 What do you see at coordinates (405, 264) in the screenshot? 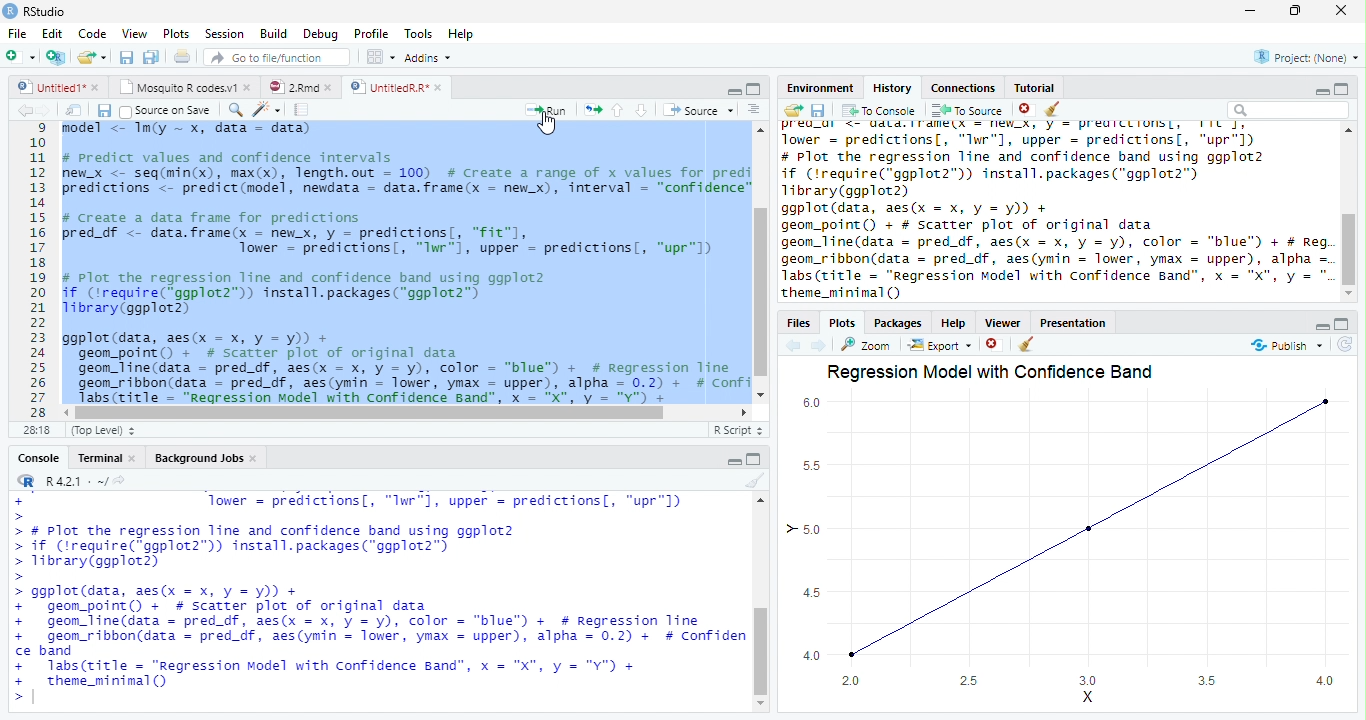
I see `#predict values and confidence intervalsew_x <- seq(min(x), max(x), length.out = 100) # Create a range of x values for prediredictions <- predict(model, newdata = data.frame(x = new_x), interval = “confidence”/ Create a data frame for predictionsred_df <- data.frame(x - newx, y = predictions[, "fit"],Tower = predictions, “Iwr"1, upper = predictions, “upr"l)Plot the regression line and confidence band using ggplot2f (irequire(*ggplot2”)) install.packages(“ggplot2”)ibrary(ggplot2)gplot (data, aes(x = x, y = y)) +geom_point() + # scatter plot of original datageon_line(data = pred_df, aes(x = x, y = y), color = “blue”) + # Regression Tinegeom_ribbon(data = pred_df, aes(ymin = lower, ymax = upper), alpha = 0.2) + # ConfiTabs(title = “Regression Model with Confidence Band", x = "X", y = "Y") +SESS(LITIE = WN -` at bounding box center [405, 264].